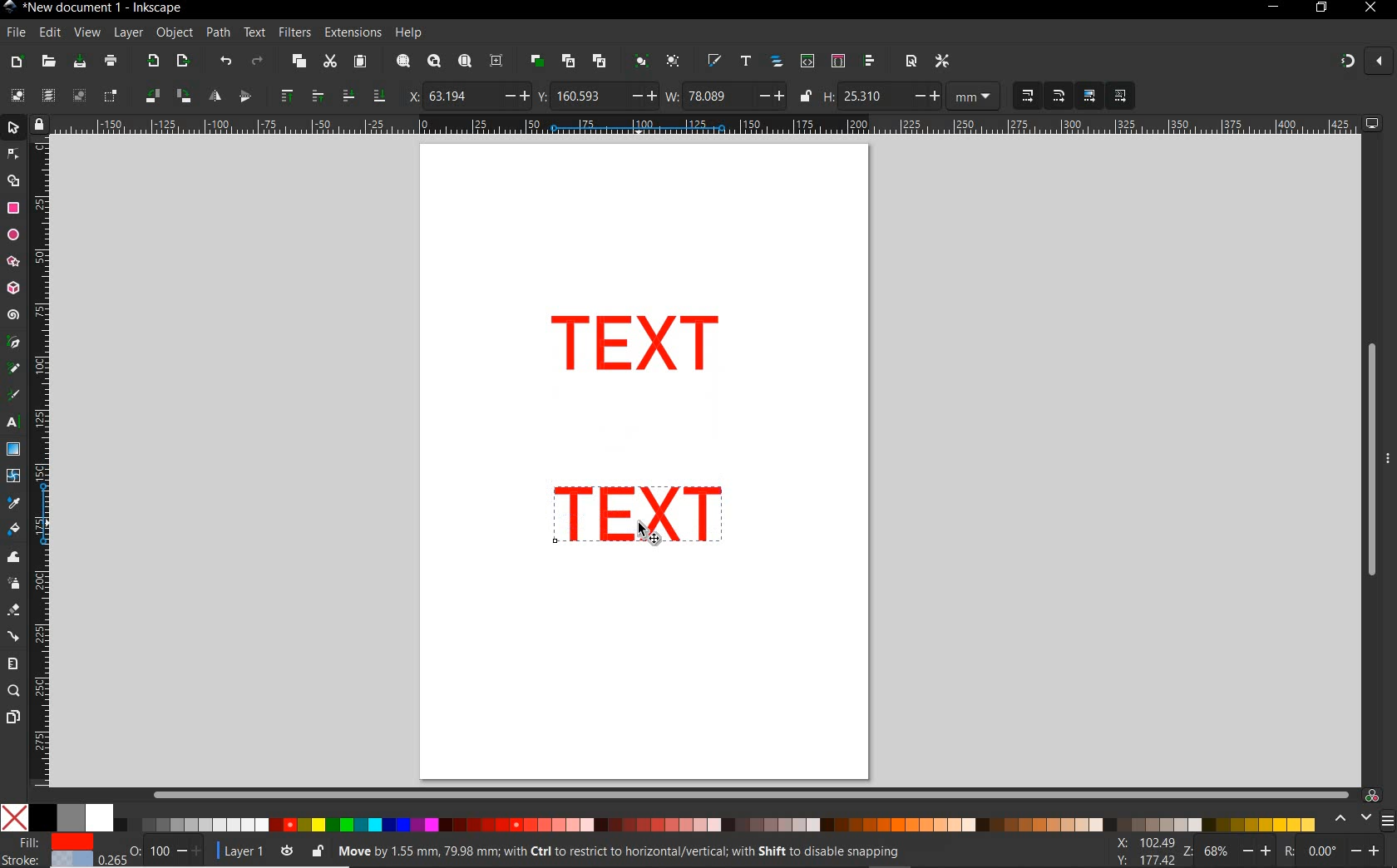 The image size is (1397, 868). Describe the element at coordinates (643, 516) in the screenshot. I see `text duplicate` at that location.